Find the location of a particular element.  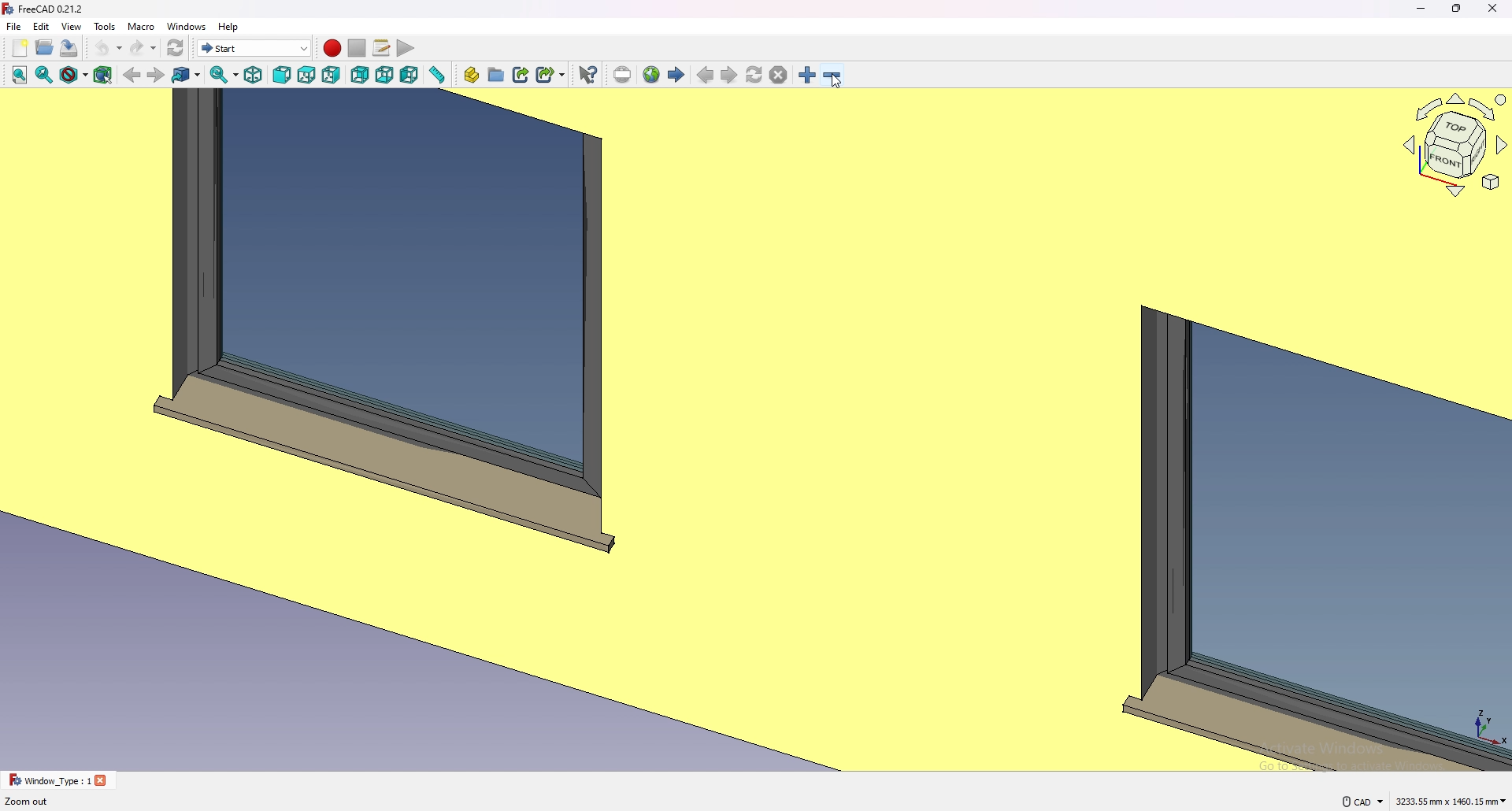

tab 1 is located at coordinates (58, 780).